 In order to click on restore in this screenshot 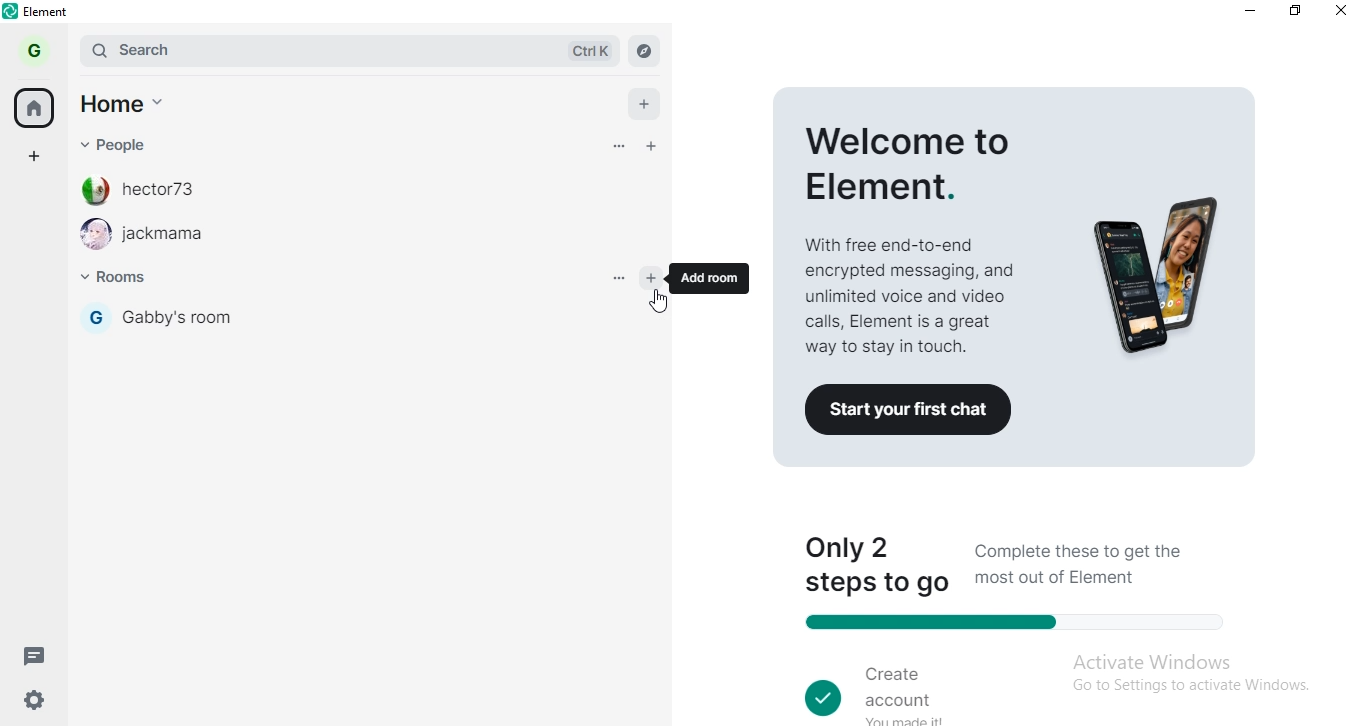, I will do `click(1296, 11)`.